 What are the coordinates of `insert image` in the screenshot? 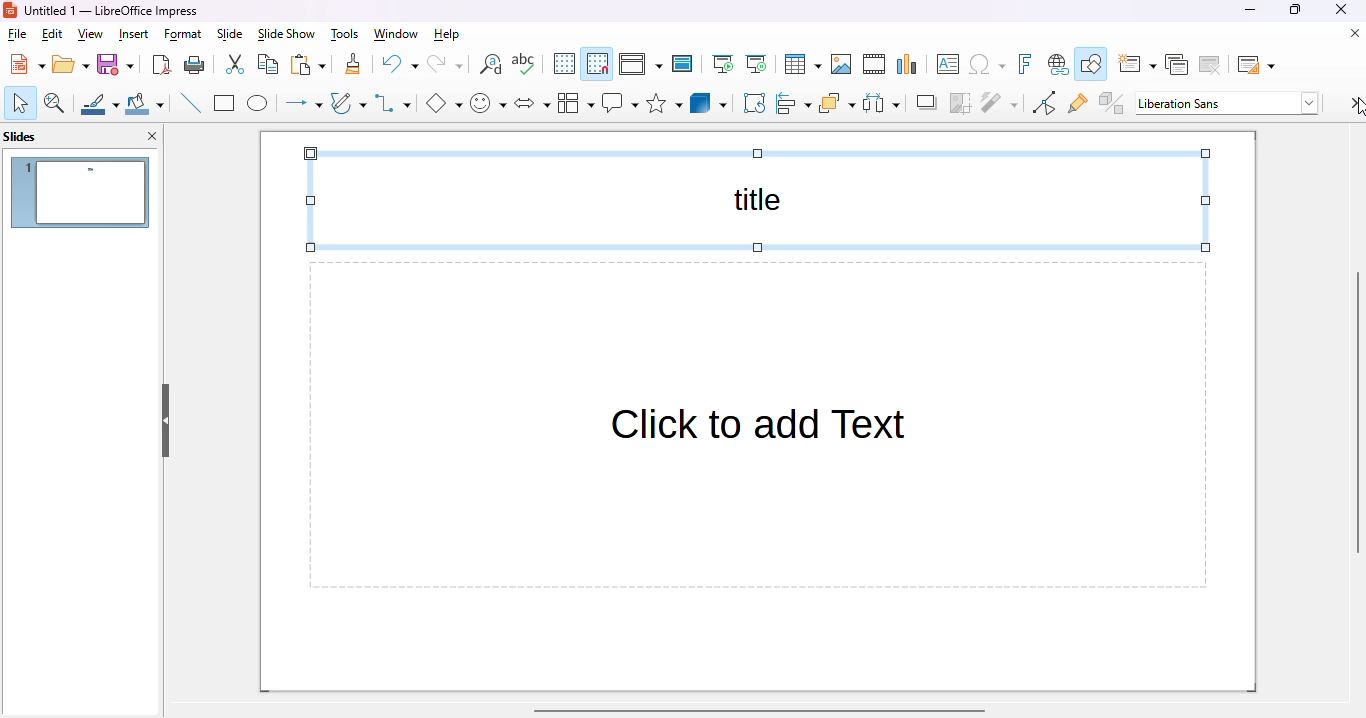 It's located at (841, 64).